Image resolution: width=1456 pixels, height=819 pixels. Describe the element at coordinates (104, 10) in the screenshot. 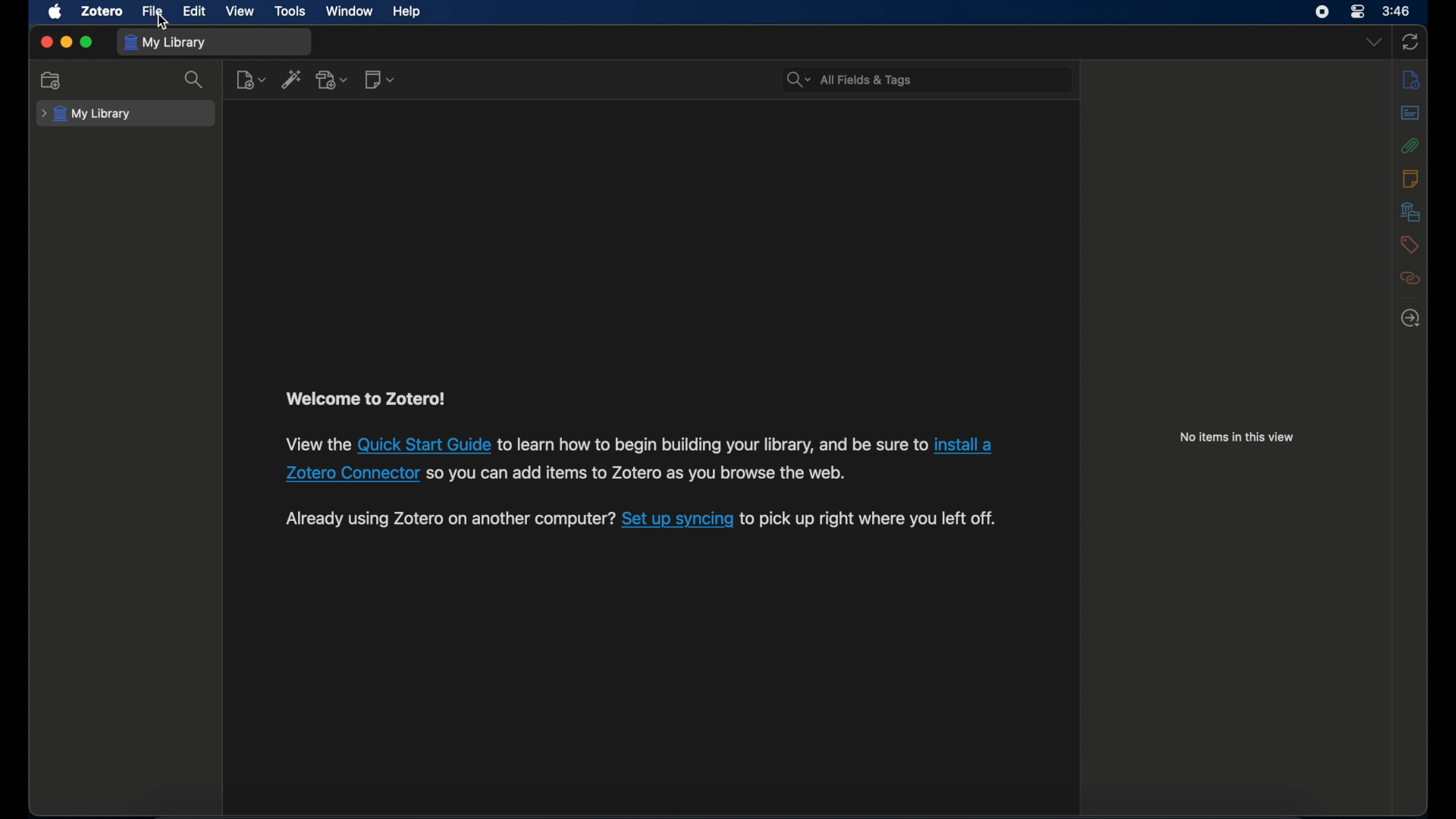

I see `zotero` at that location.